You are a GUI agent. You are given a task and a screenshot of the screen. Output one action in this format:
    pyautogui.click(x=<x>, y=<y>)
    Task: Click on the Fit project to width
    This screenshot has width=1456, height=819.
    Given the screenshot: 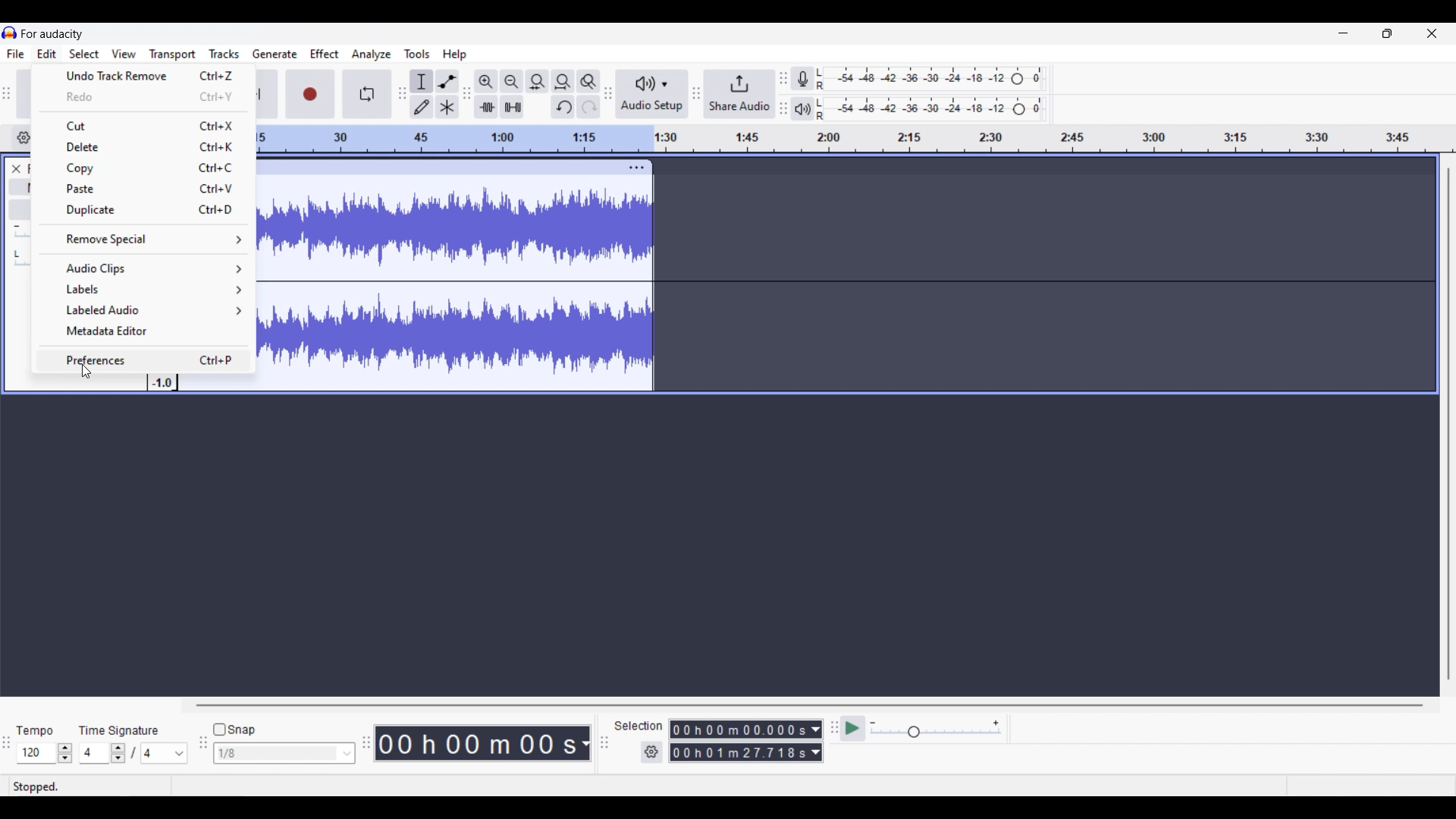 What is the action you would take?
    pyautogui.click(x=563, y=82)
    